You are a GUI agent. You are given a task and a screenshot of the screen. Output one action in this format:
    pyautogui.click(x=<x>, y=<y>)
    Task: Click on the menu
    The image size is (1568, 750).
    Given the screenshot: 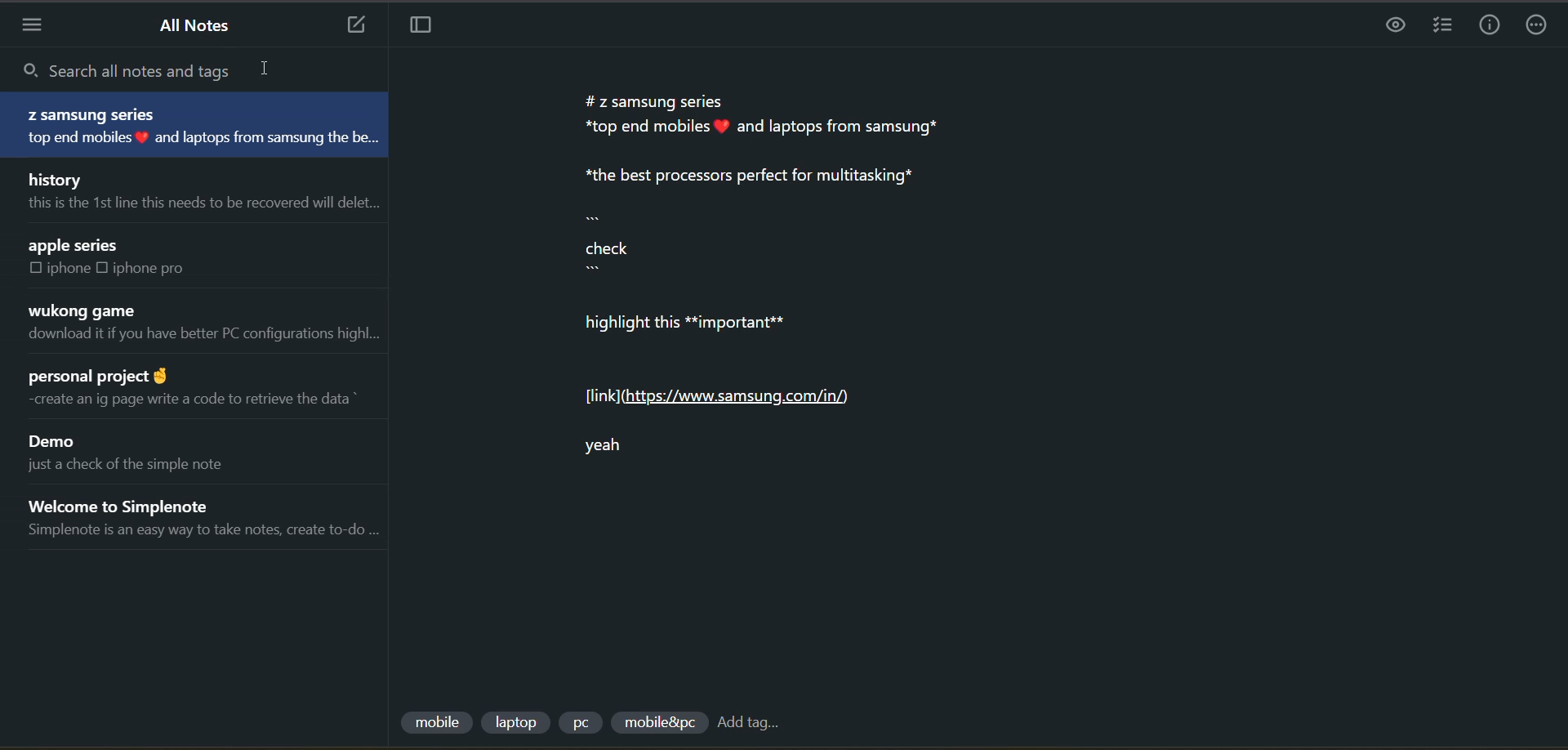 What is the action you would take?
    pyautogui.click(x=38, y=26)
    